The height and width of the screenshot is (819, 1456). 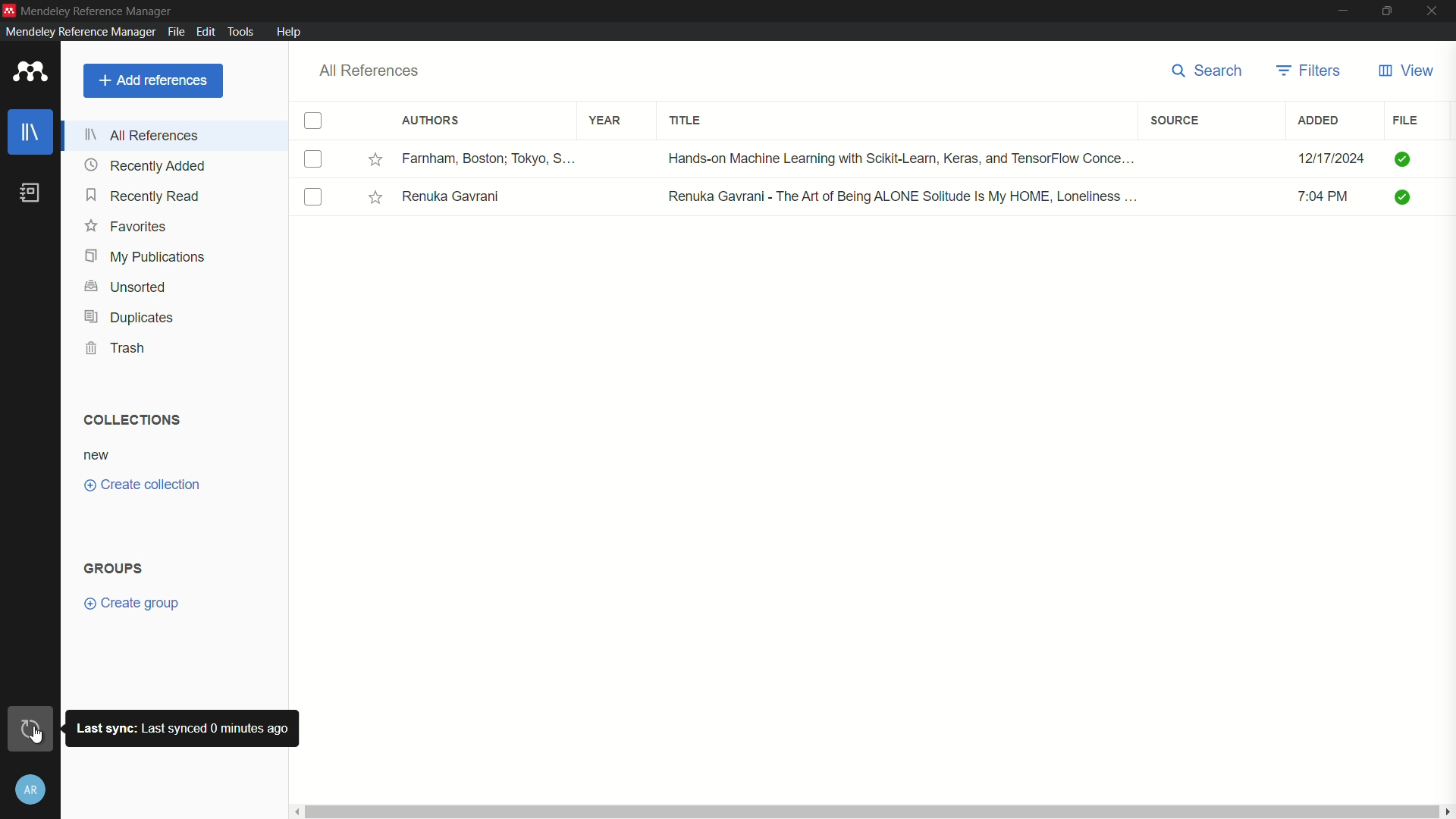 What do you see at coordinates (35, 730) in the screenshot?
I see `sync` at bounding box center [35, 730].